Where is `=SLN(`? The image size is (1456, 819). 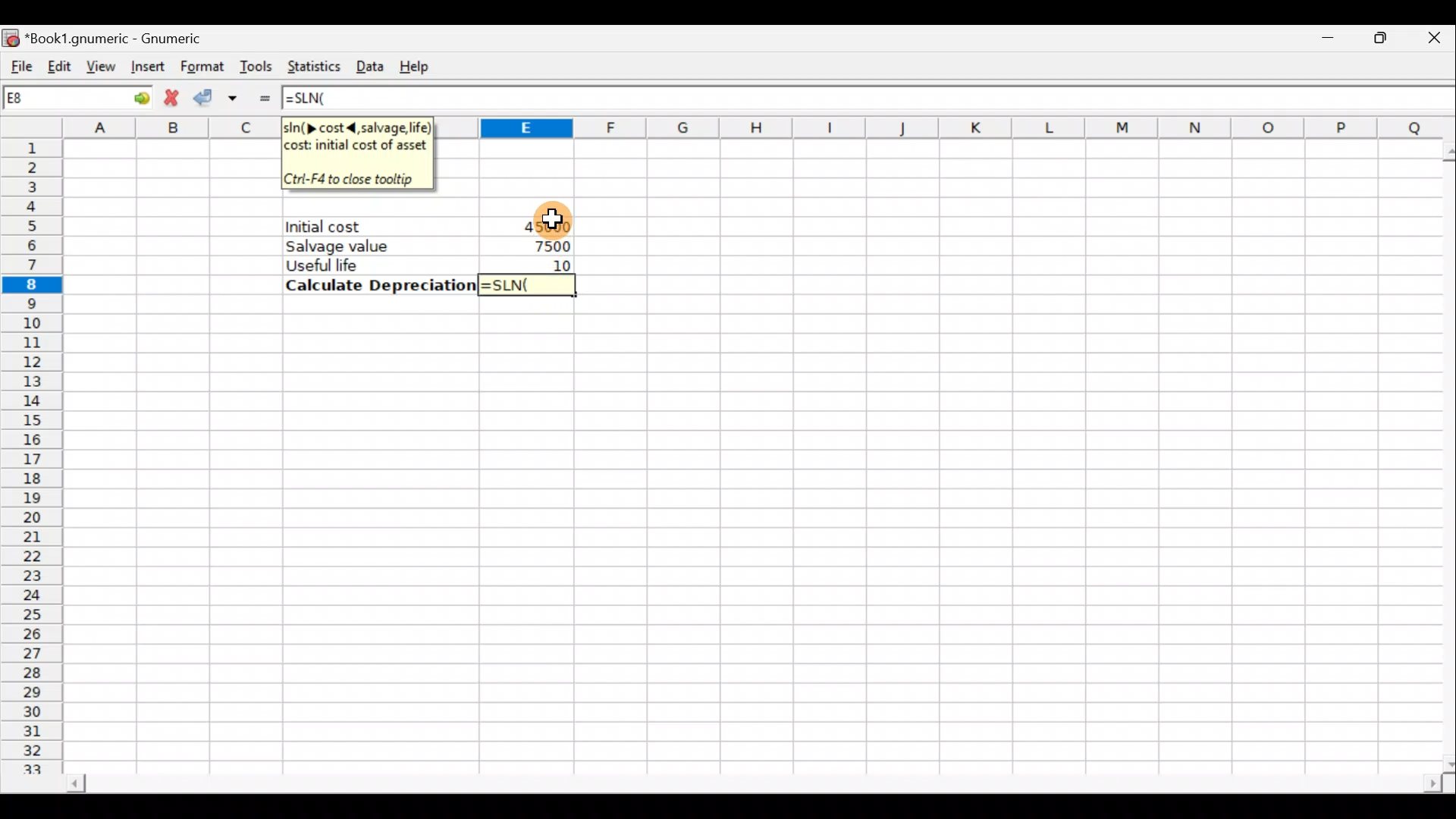 =SLN( is located at coordinates (529, 284).